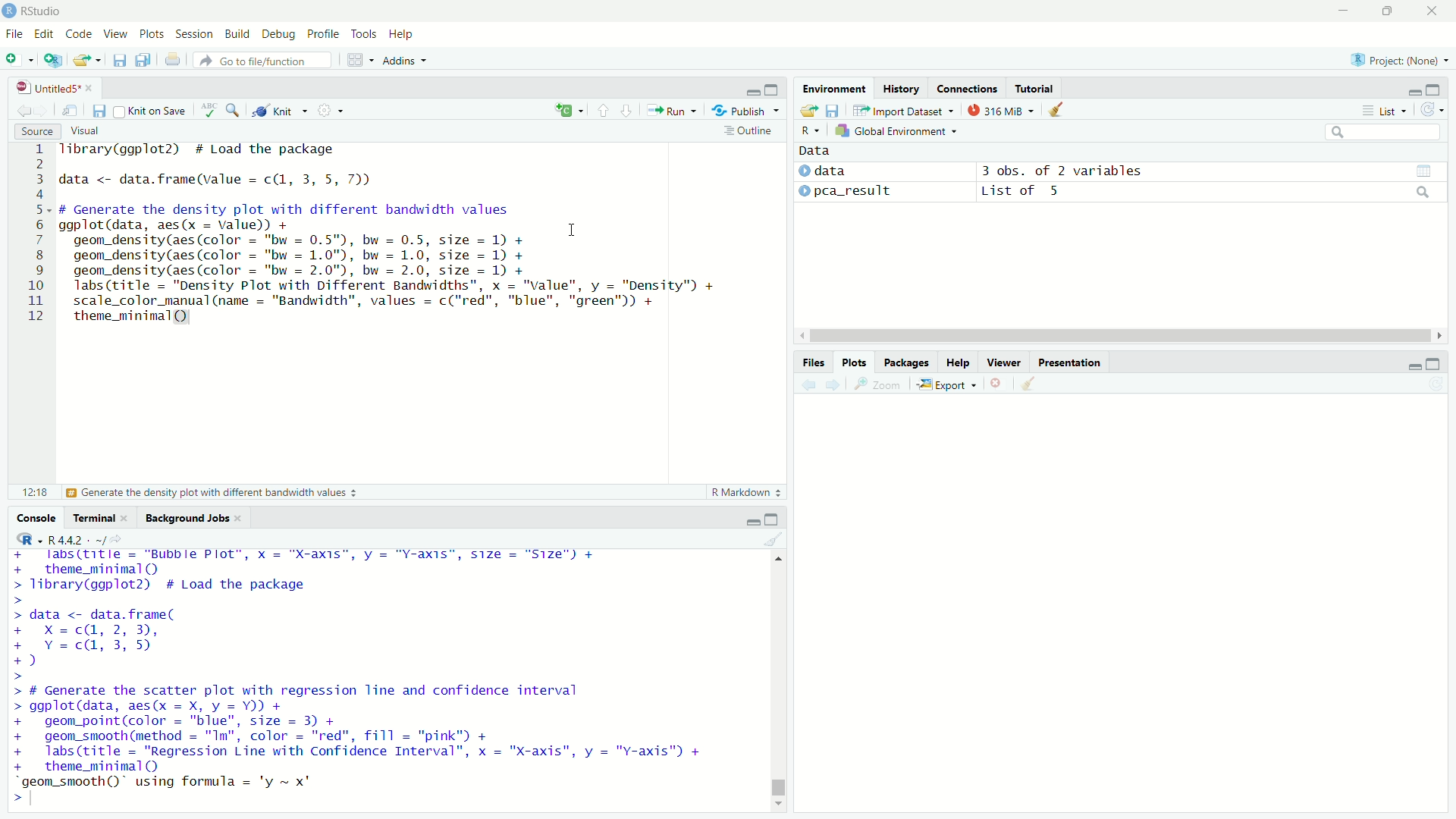 The image size is (1456, 819). Describe the element at coordinates (84, 131) in the screenshot. I see `Visual` at that location.